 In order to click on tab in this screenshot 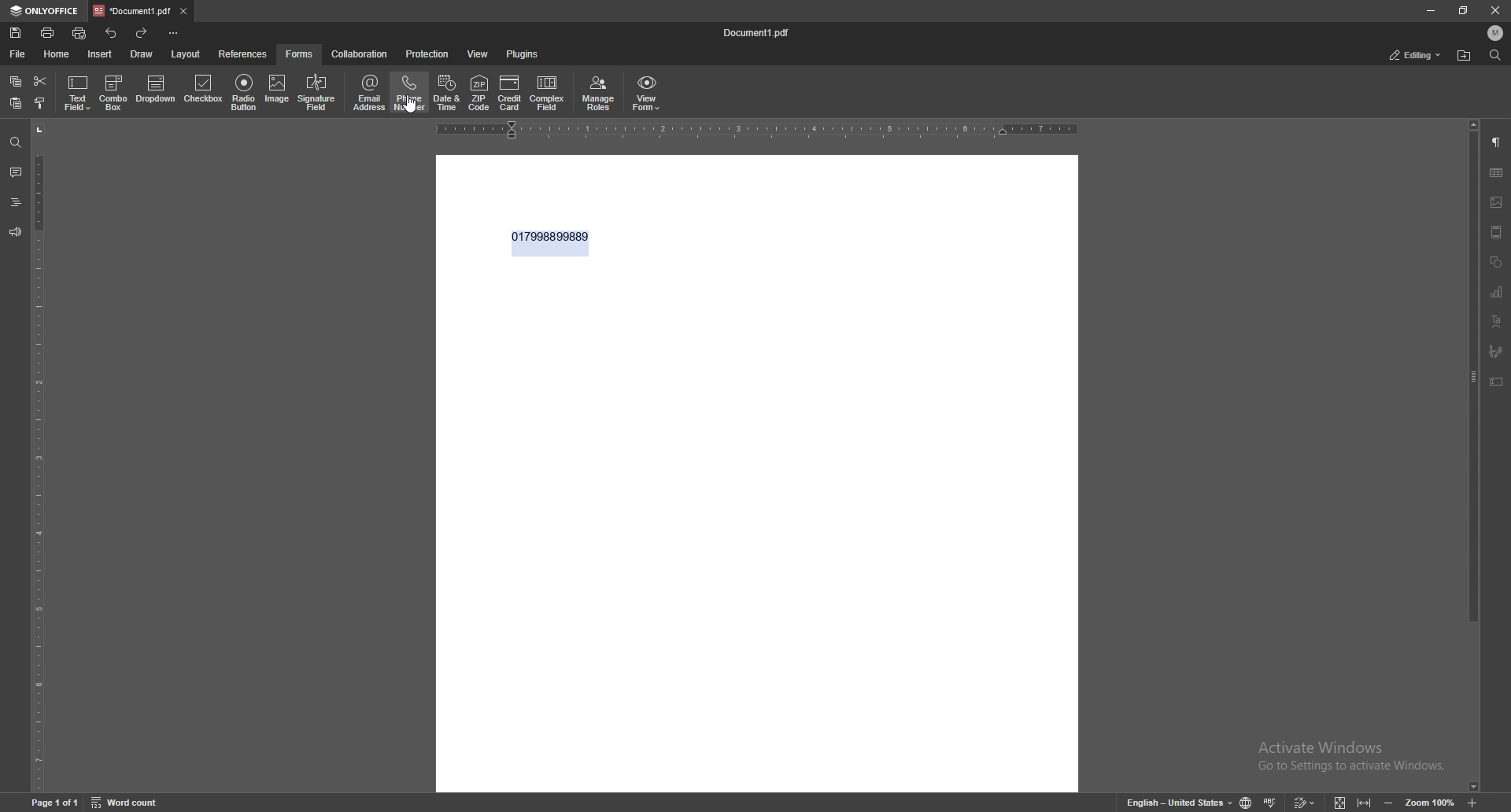, I will do `click(132, 11)`.